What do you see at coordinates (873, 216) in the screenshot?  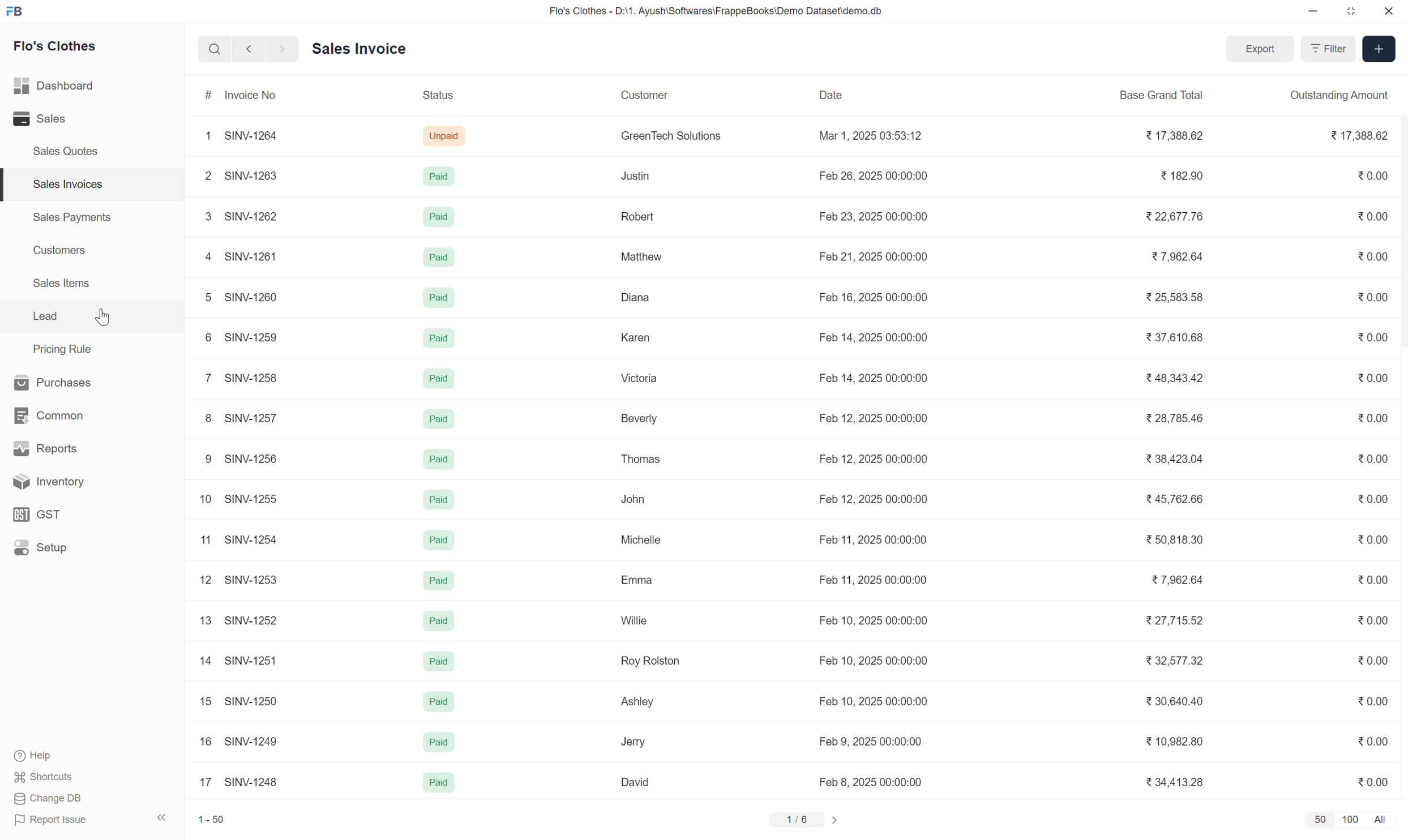 I see `Feb 23, 2025 00:00:00` at bounding box center [873, 216].